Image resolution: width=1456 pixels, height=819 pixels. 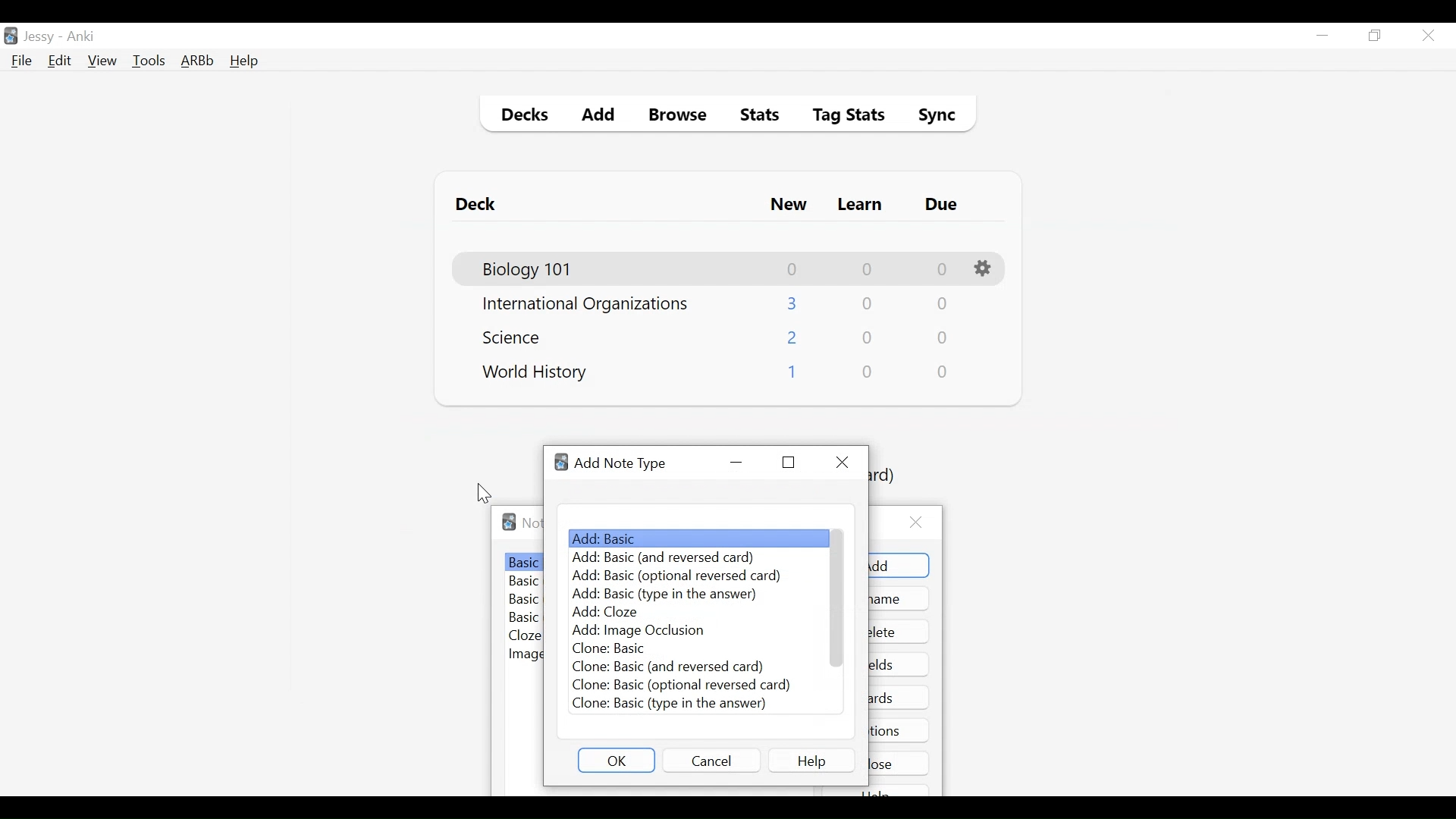 I want to click on , so click(x=899, y=566).